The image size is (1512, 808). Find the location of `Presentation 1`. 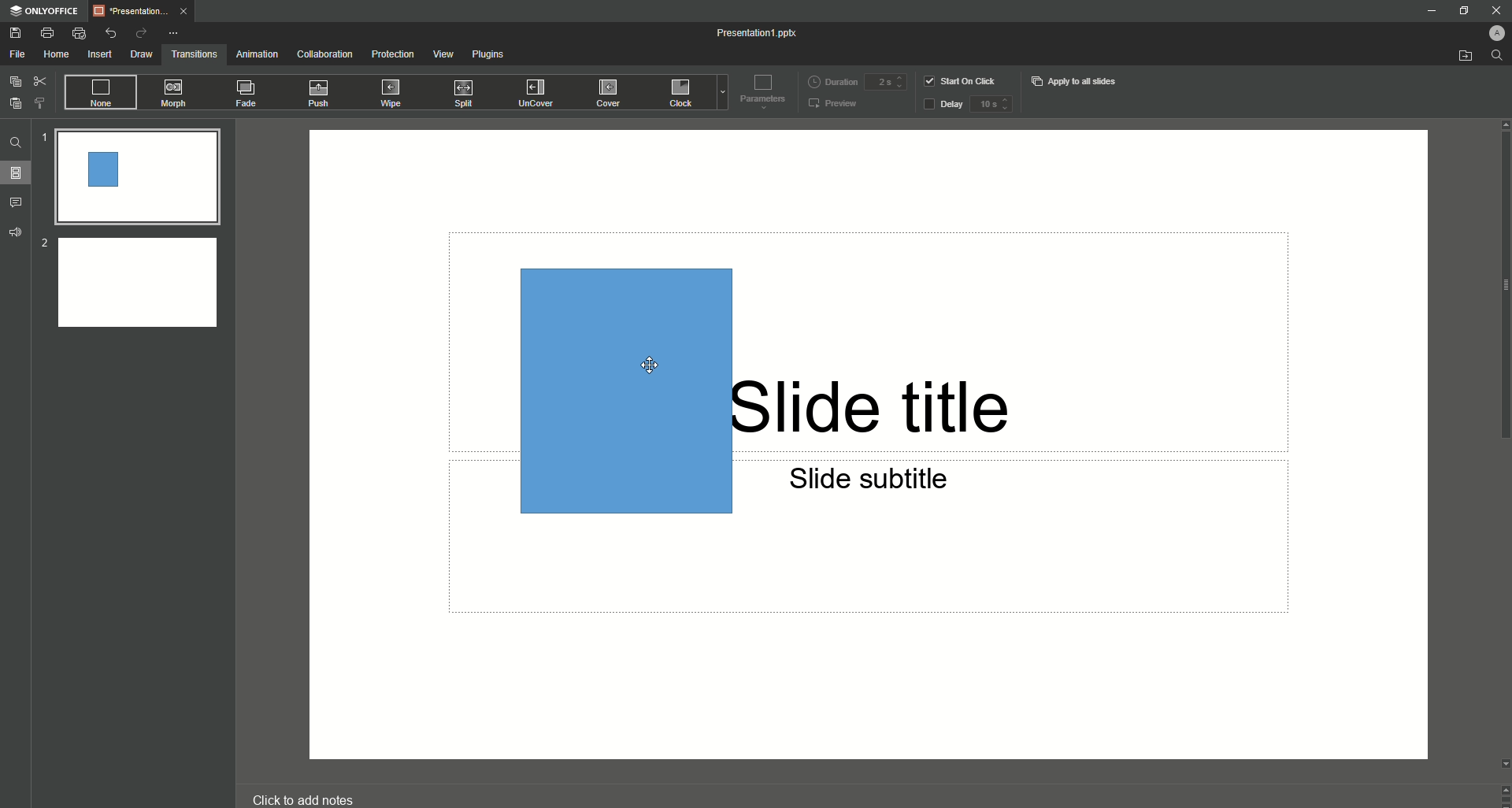

Presentation 1 is located at coordinates (760, 35).